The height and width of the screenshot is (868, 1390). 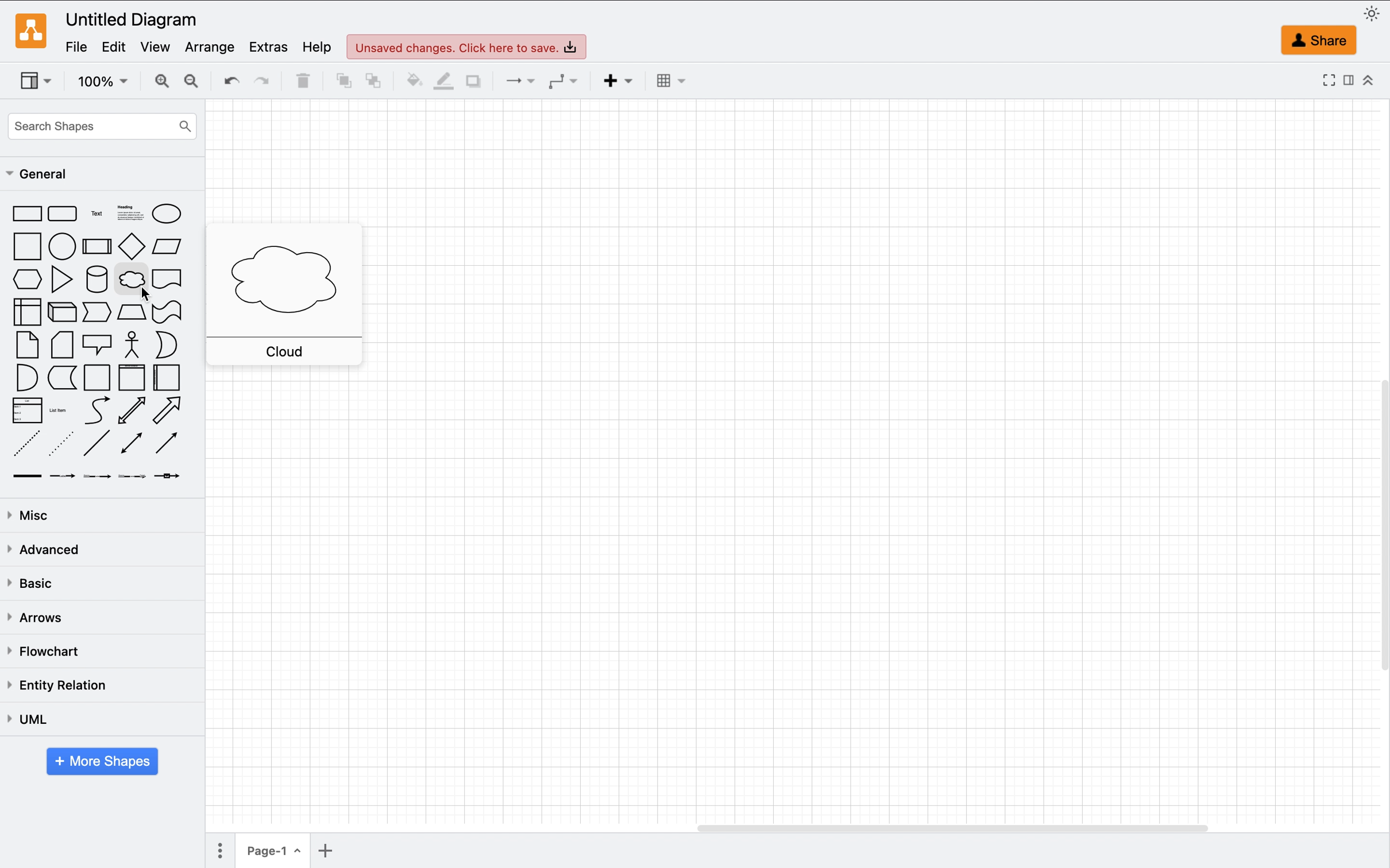 I want to click on insert, so click(x=615, y=83).